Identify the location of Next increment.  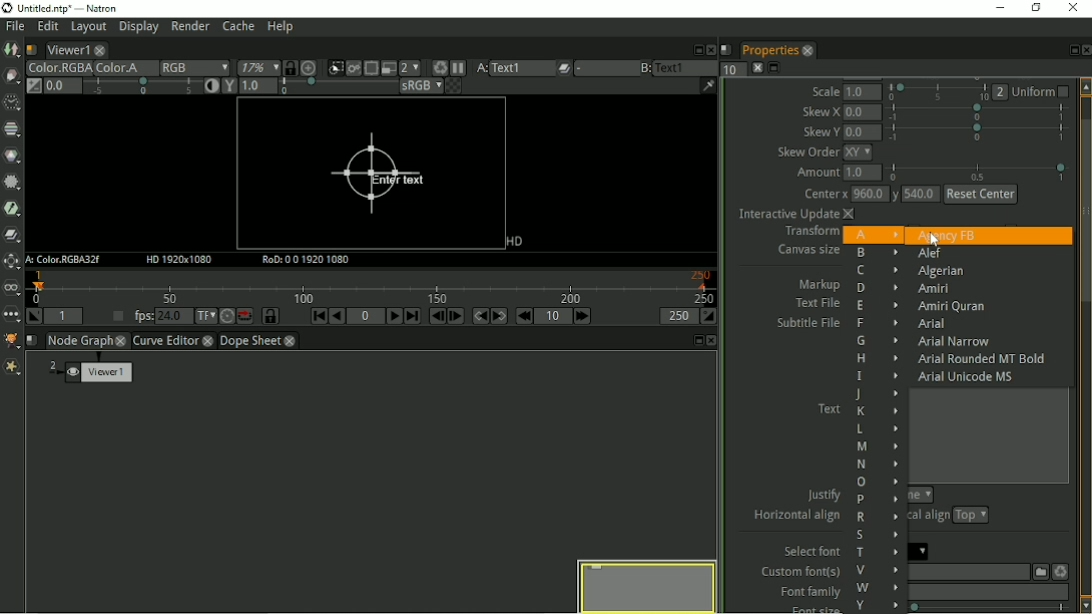
(584, 316).